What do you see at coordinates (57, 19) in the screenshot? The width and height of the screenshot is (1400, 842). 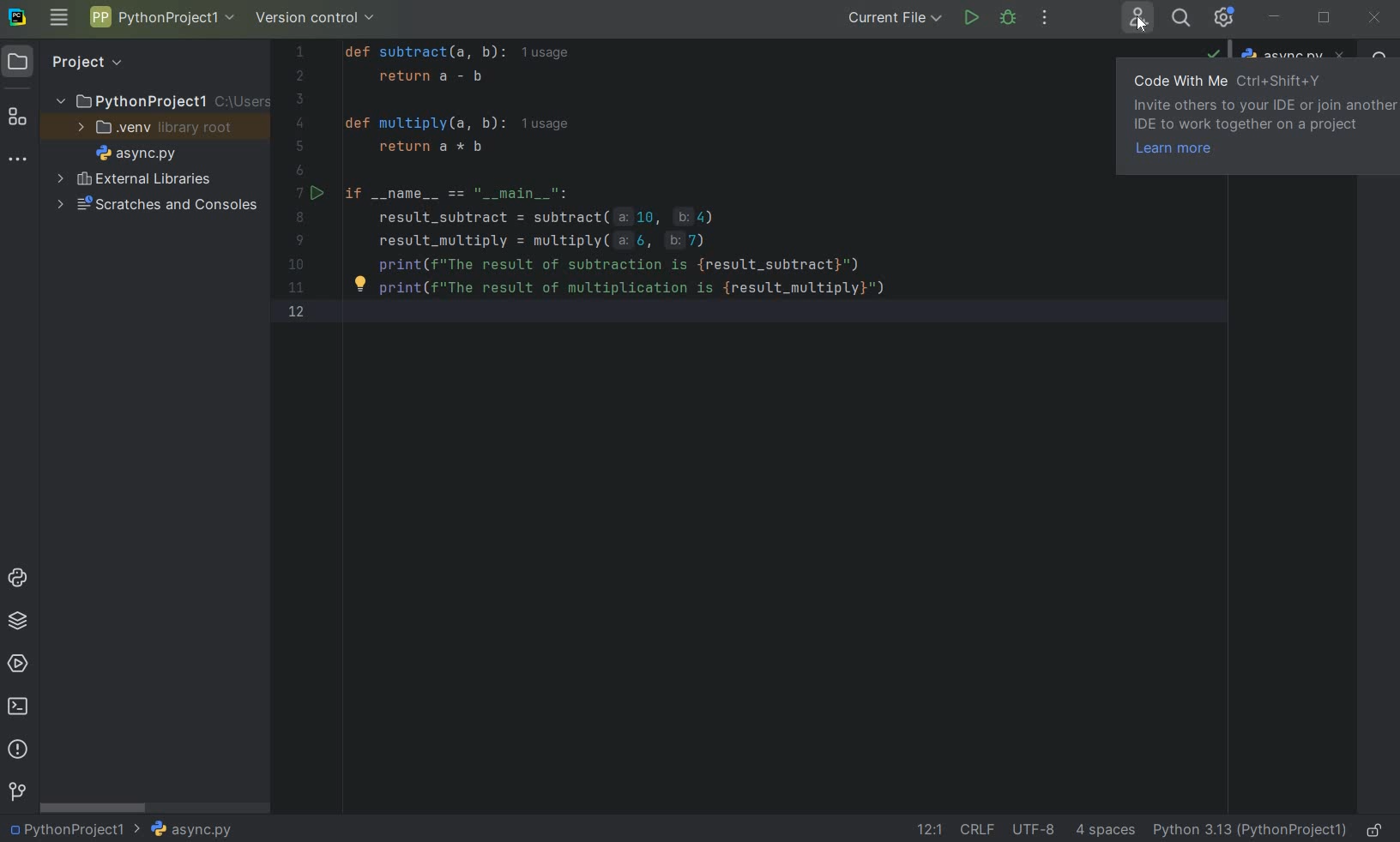 I see `MAIN MENU` at bounding box center [57, 19].